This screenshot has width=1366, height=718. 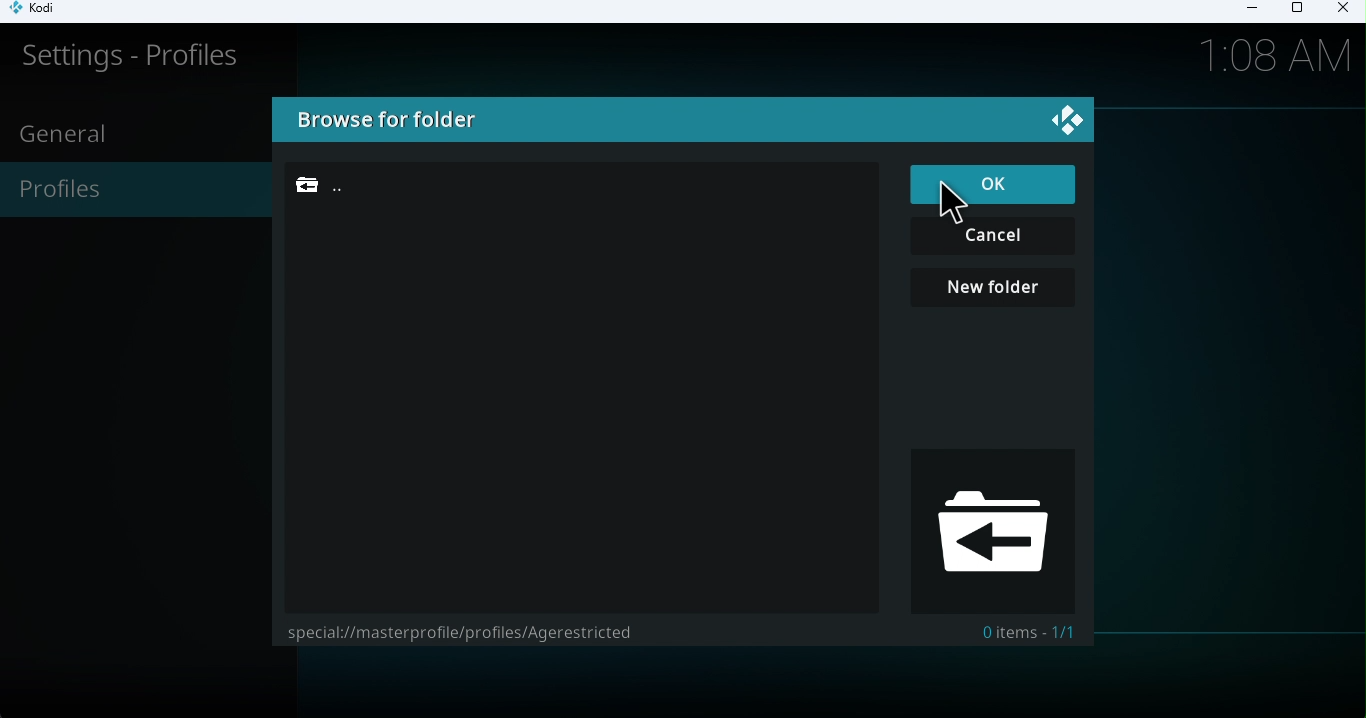 I want to click on Browse folder, so click(x=985, y=525).